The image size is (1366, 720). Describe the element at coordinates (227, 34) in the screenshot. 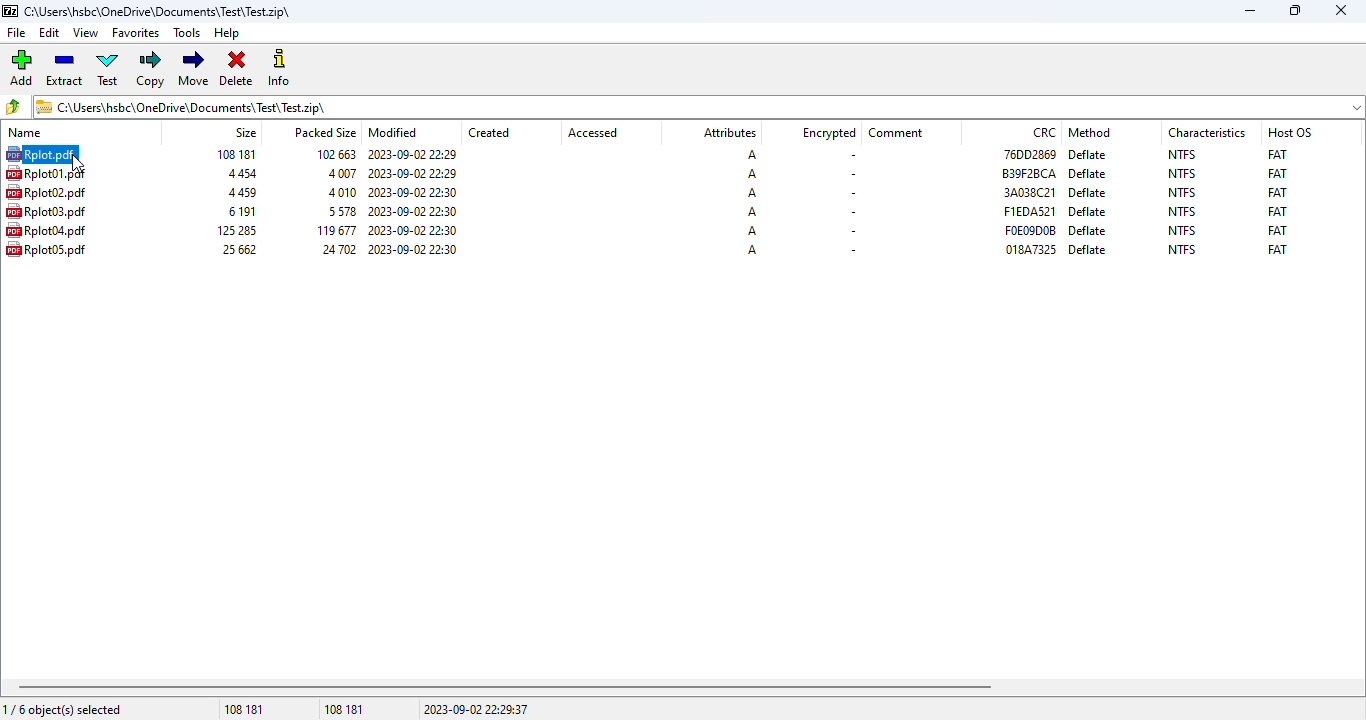

I see `help` at that location.